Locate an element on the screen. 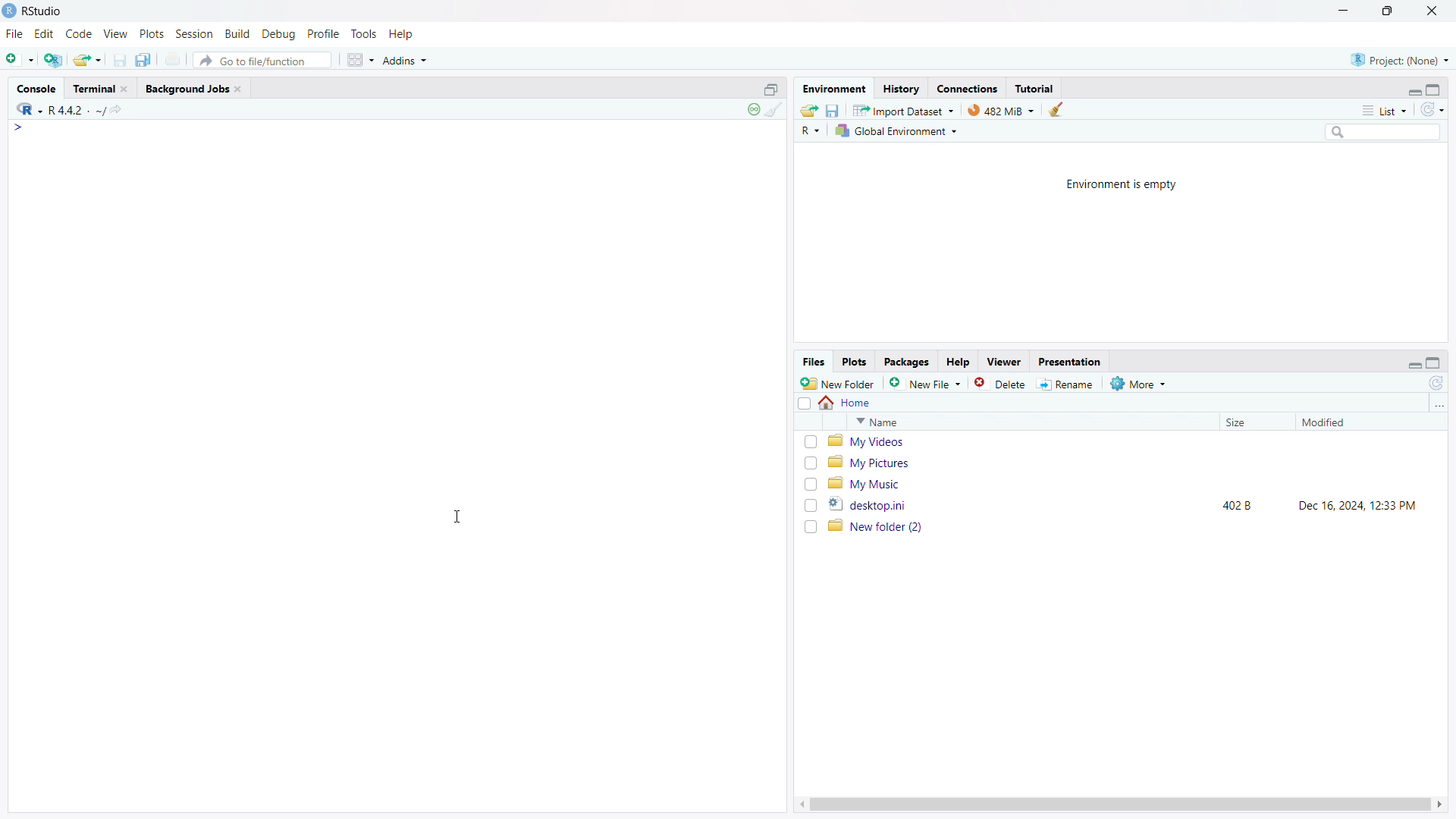 The width and height of the screenshot is (1456, 819). select environment is located at coordinates (898, 131).